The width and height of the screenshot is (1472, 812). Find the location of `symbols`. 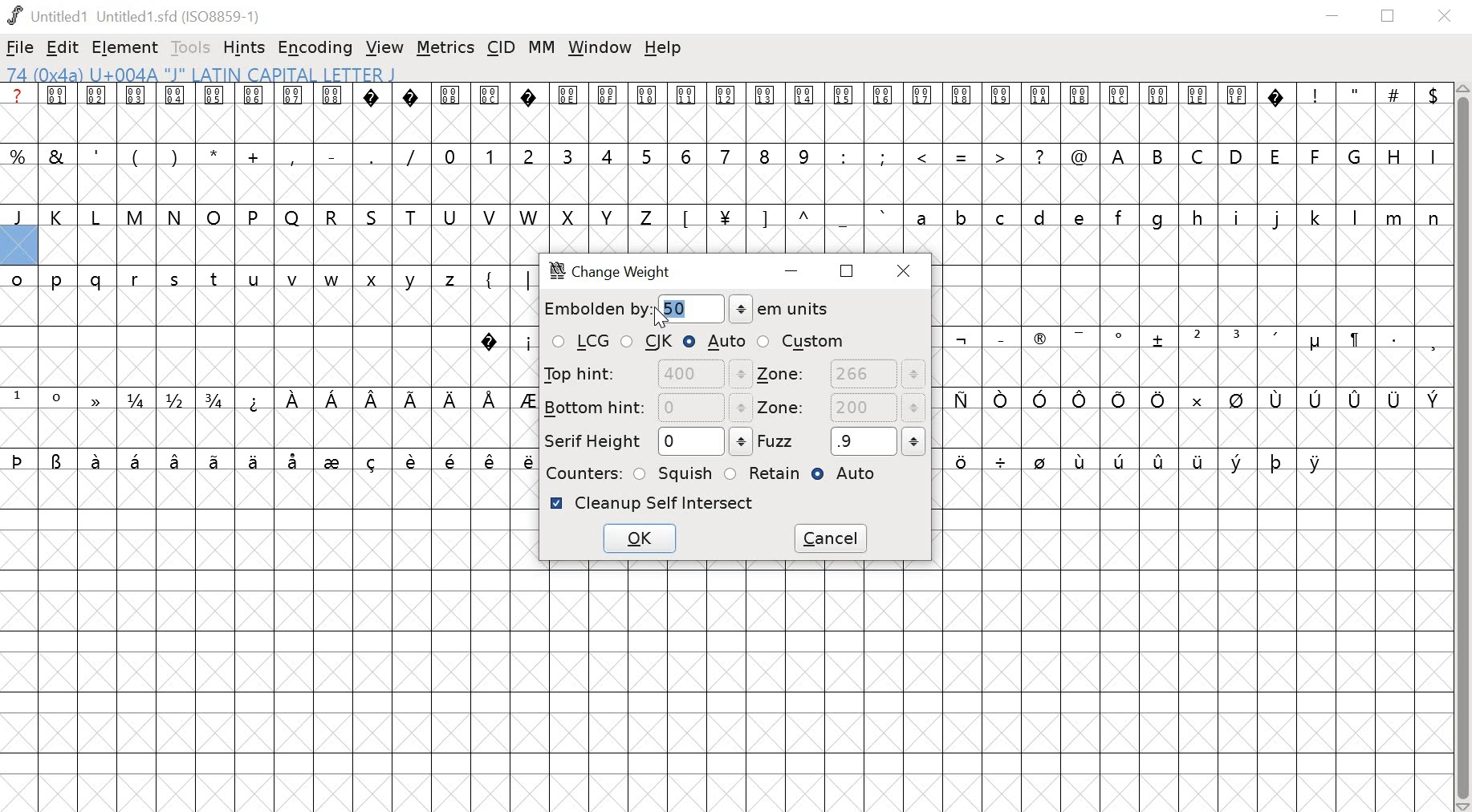

symbols is located at coordinates (501, 278).